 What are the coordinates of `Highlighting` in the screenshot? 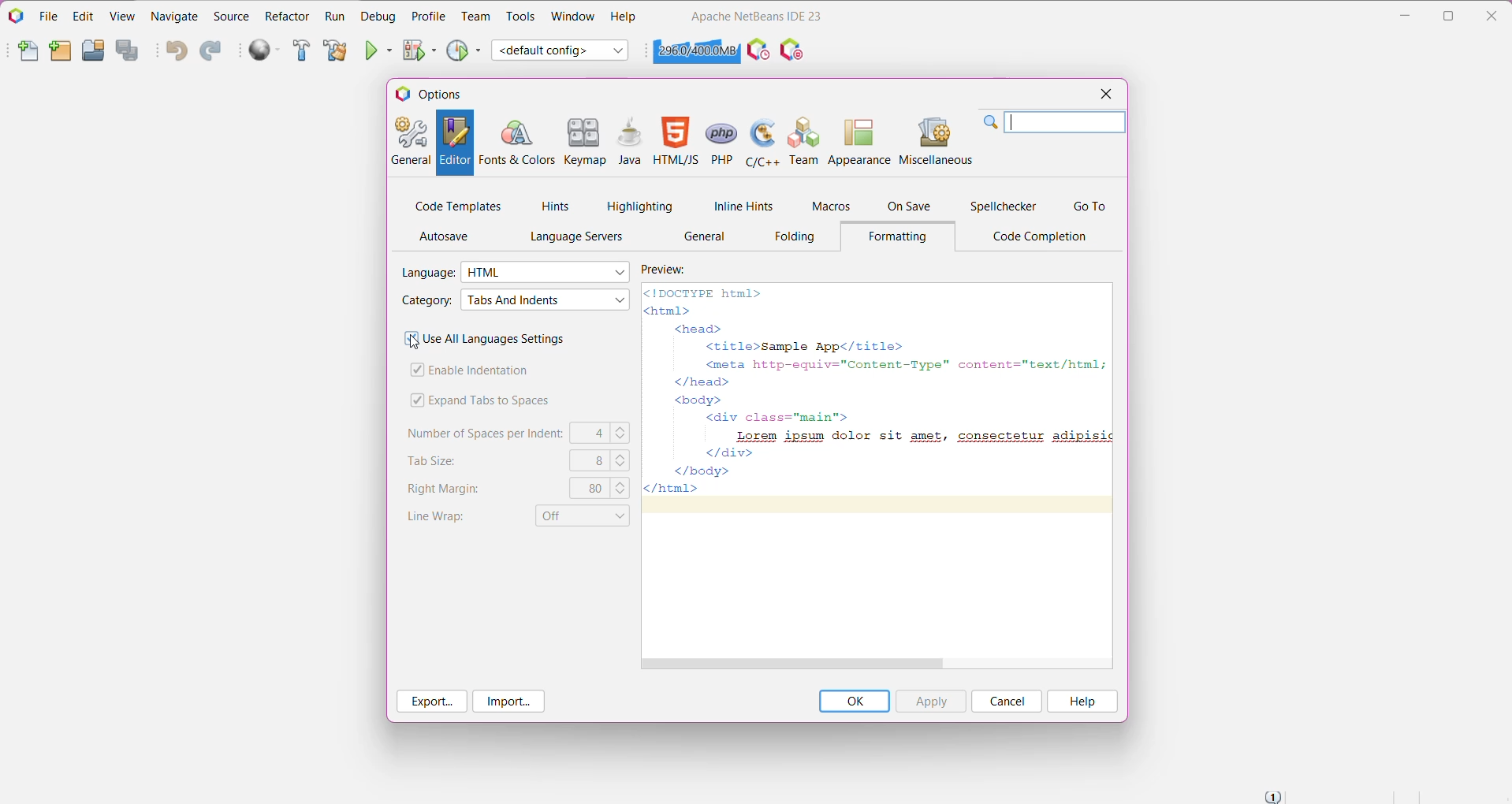 It's located at (640, 206).